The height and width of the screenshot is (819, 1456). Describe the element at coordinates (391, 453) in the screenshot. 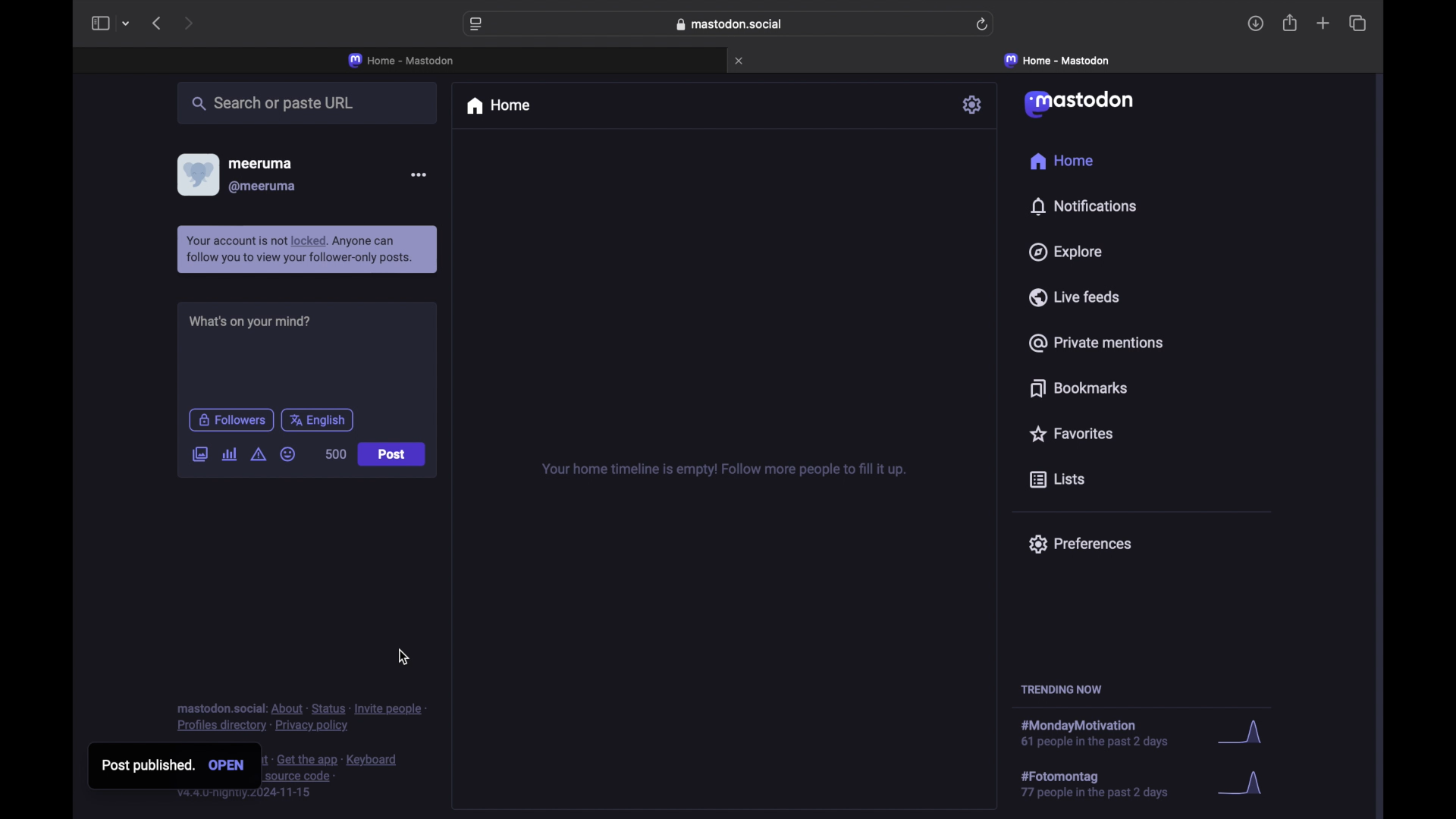

I see `post` at that location.